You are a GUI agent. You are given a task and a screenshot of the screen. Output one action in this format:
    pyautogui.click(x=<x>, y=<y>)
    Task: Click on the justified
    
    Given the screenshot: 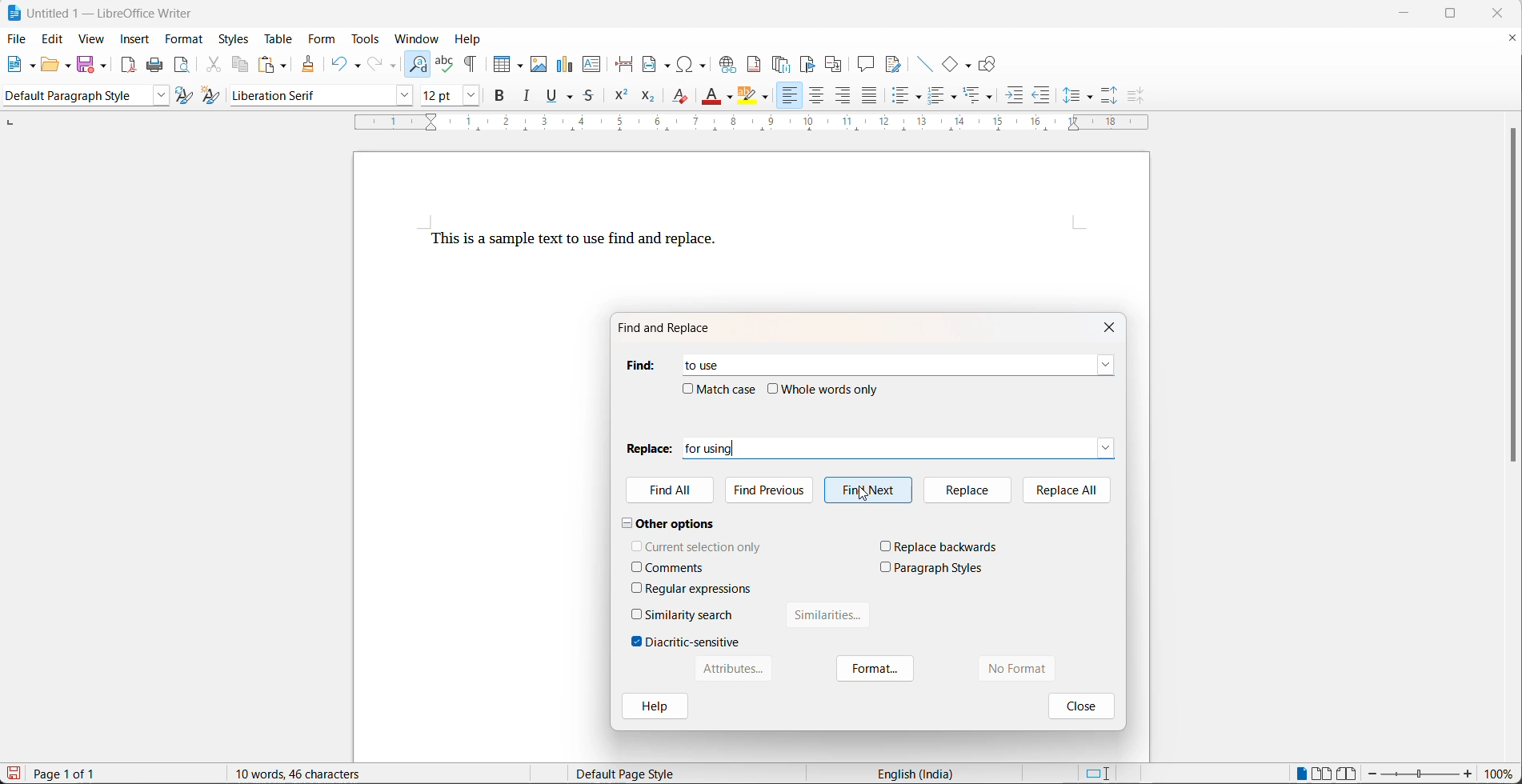 What is the action you would take?
    pyautogui.click(x=870, y=97)
    